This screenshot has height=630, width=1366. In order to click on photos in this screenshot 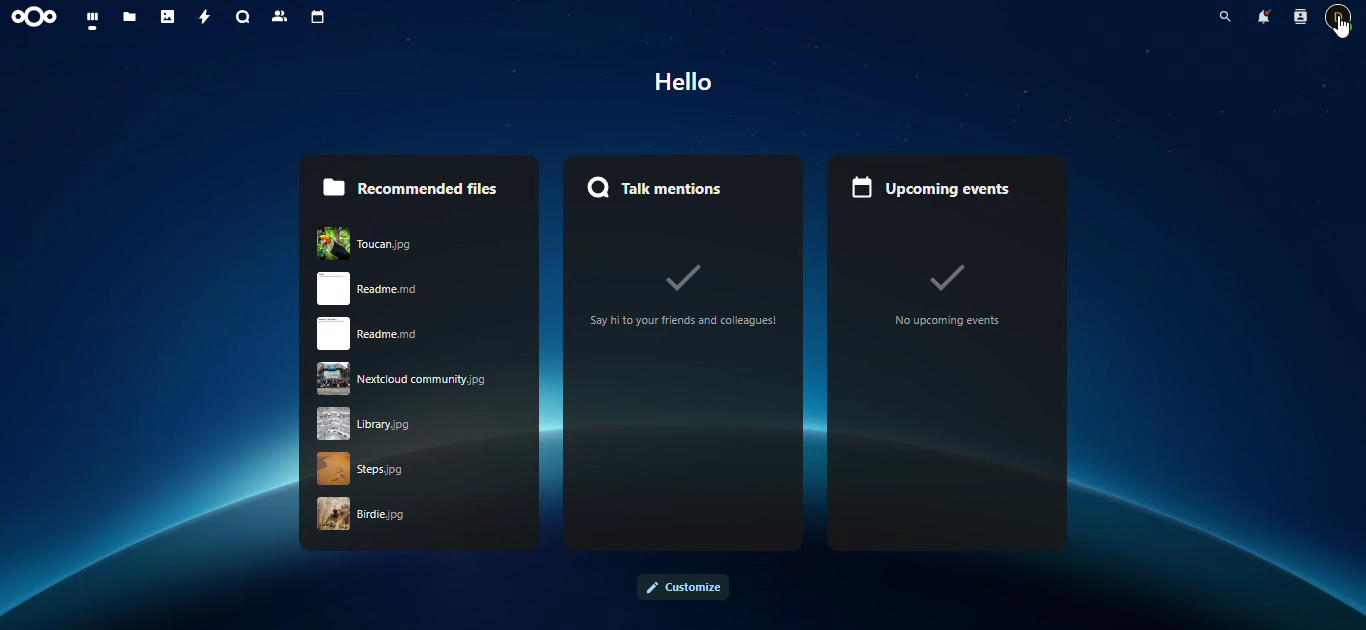, I will do `click(169, 18)`.